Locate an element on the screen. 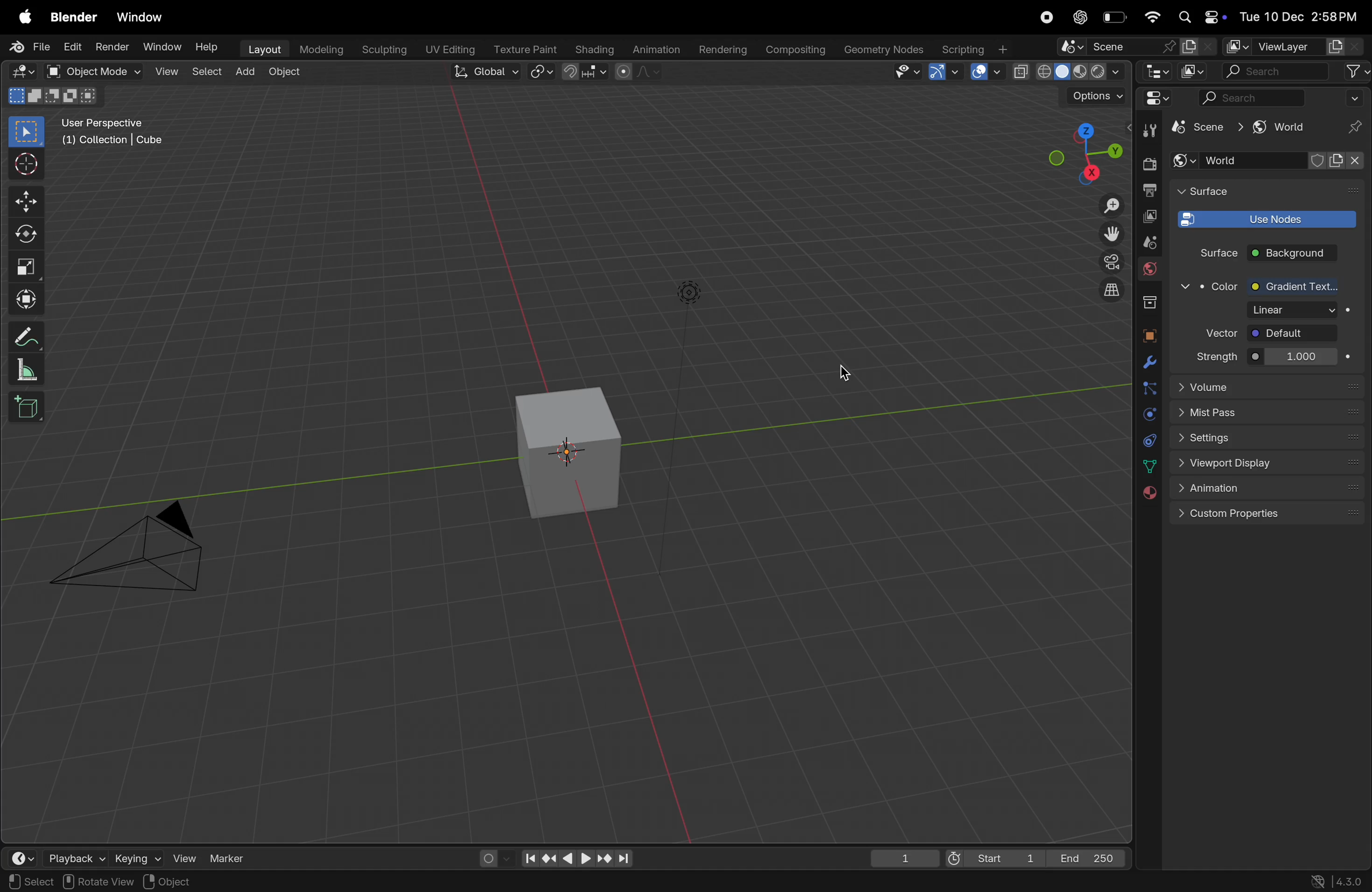 The width and height of the screenshot is (1372, 892). auto keying is located at coordinates (491, 857).